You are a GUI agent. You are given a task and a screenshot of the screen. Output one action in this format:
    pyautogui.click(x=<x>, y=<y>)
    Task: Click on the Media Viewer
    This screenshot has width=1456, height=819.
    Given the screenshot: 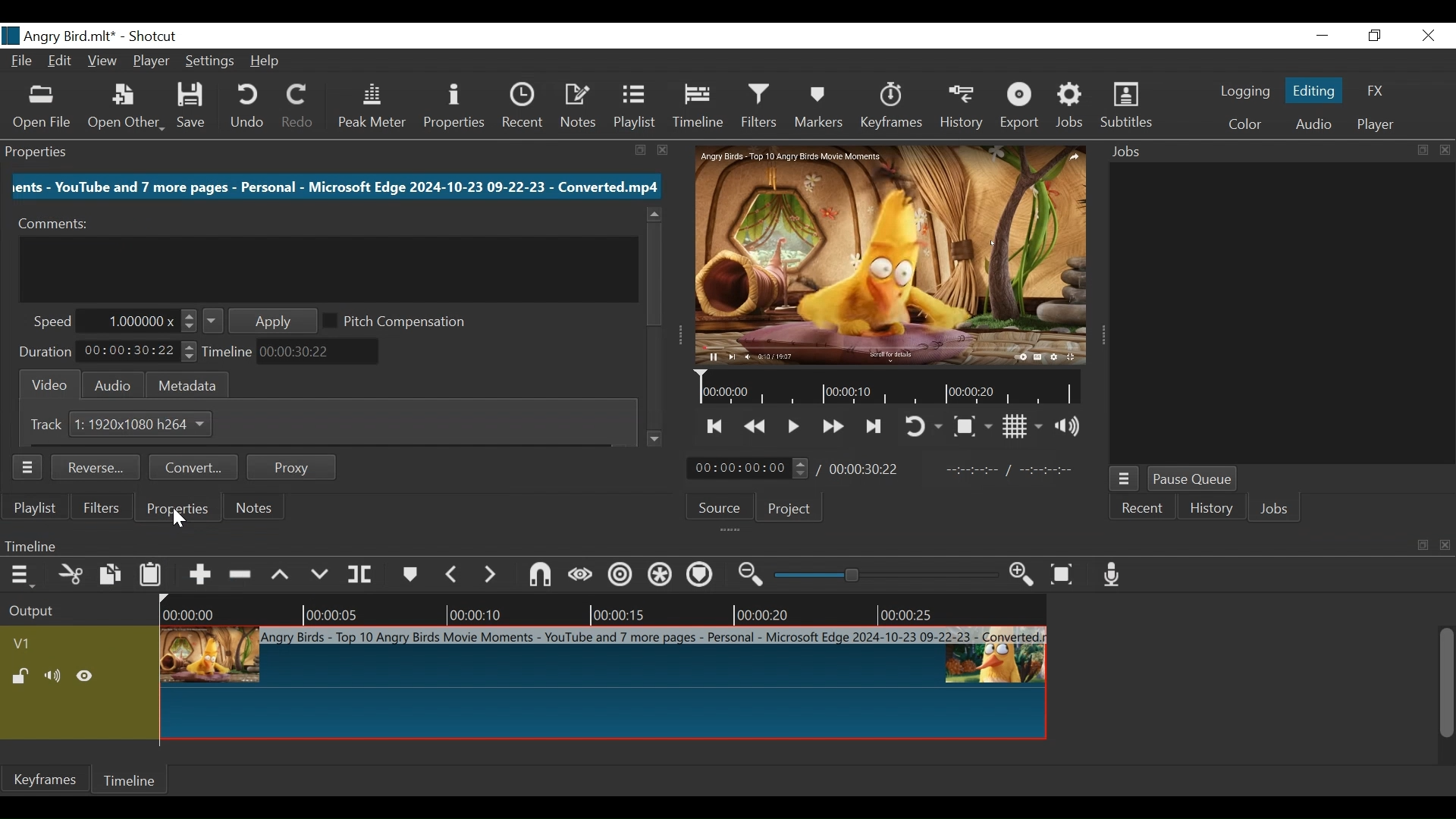 What is the action you would take?
    pyautogui.click(x=891, y=251)
    